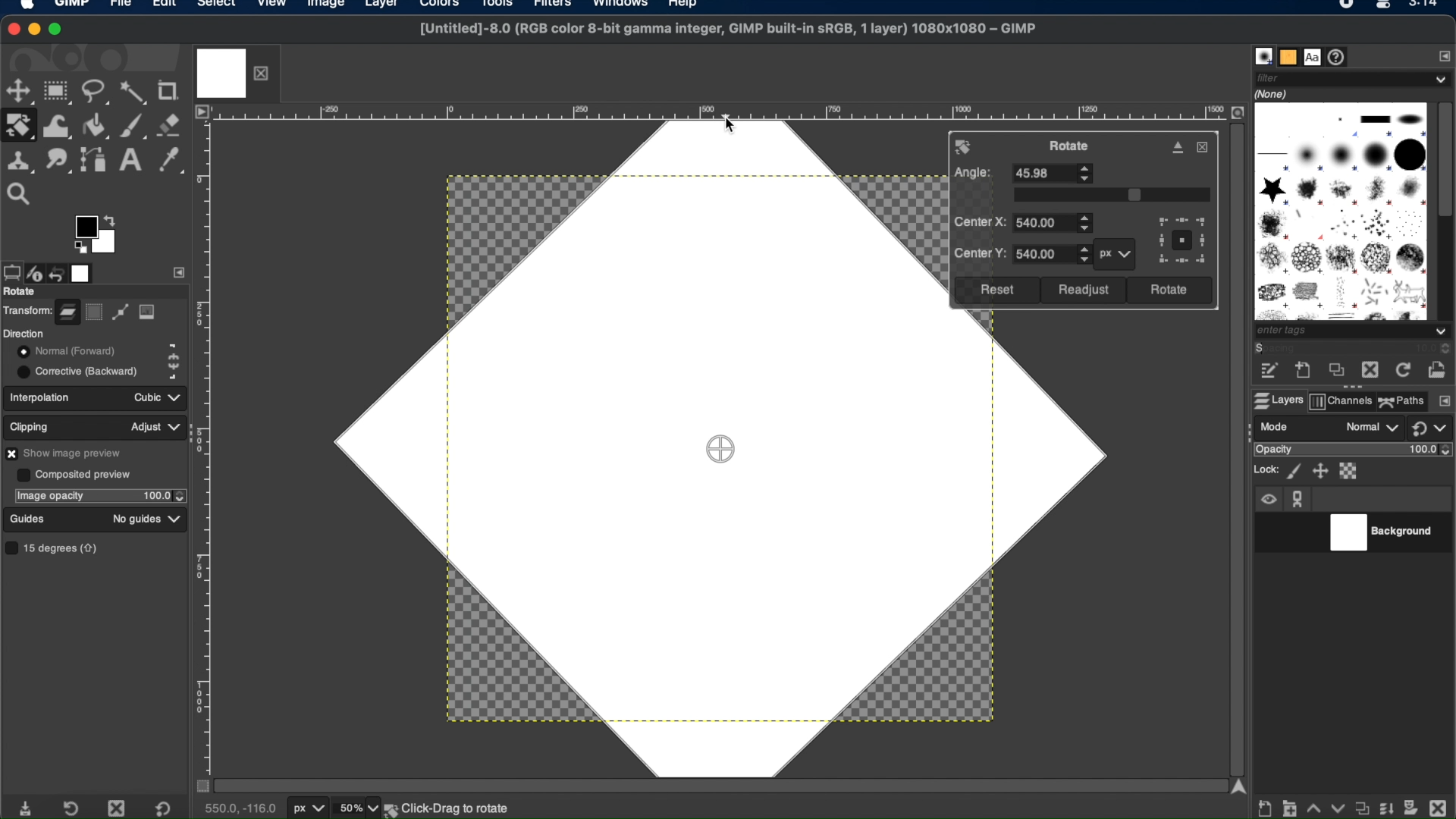  I want to click on preview, so click(80, 248).